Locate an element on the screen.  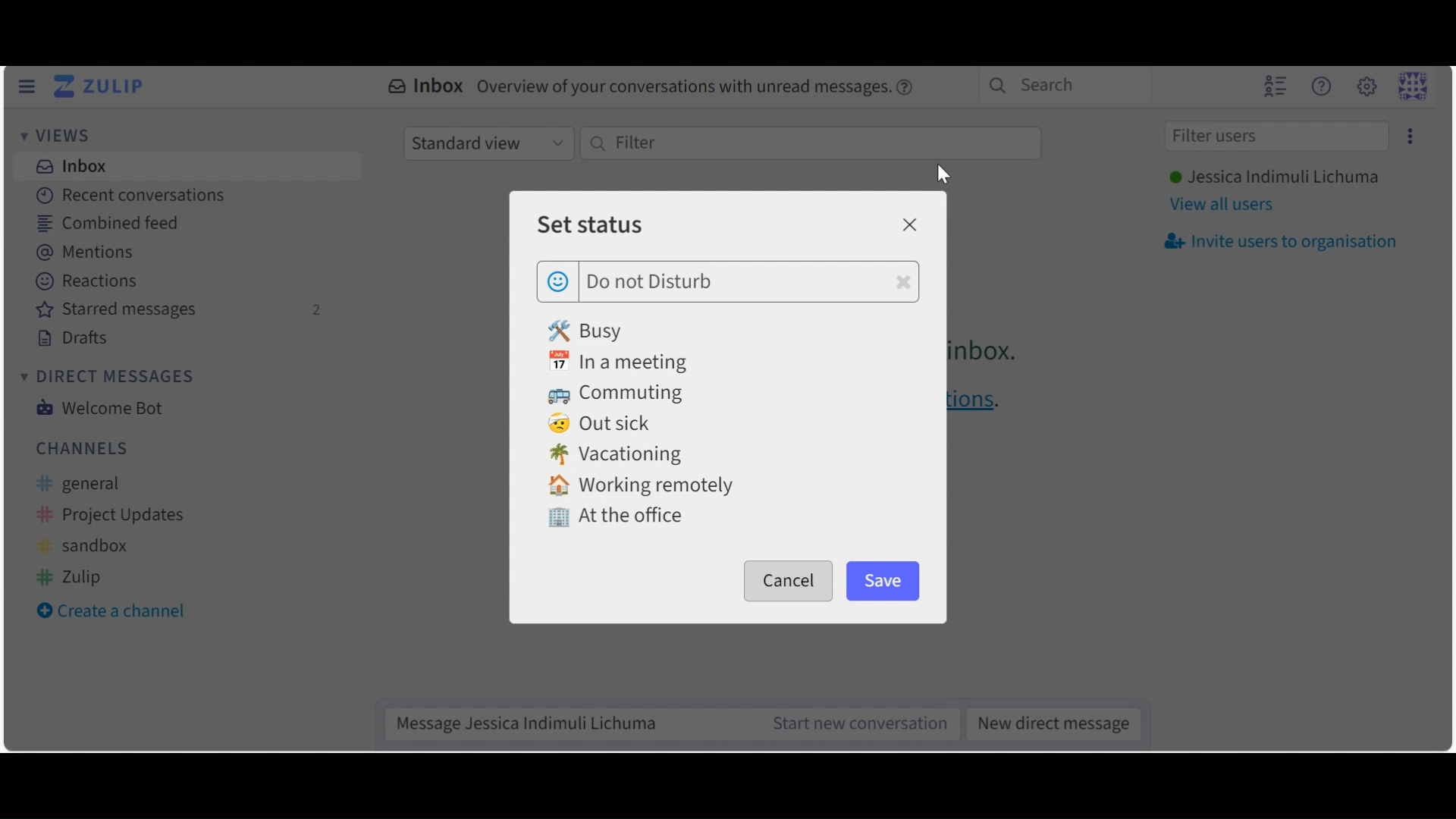
Hide Status is located at coordinates (26, 86).